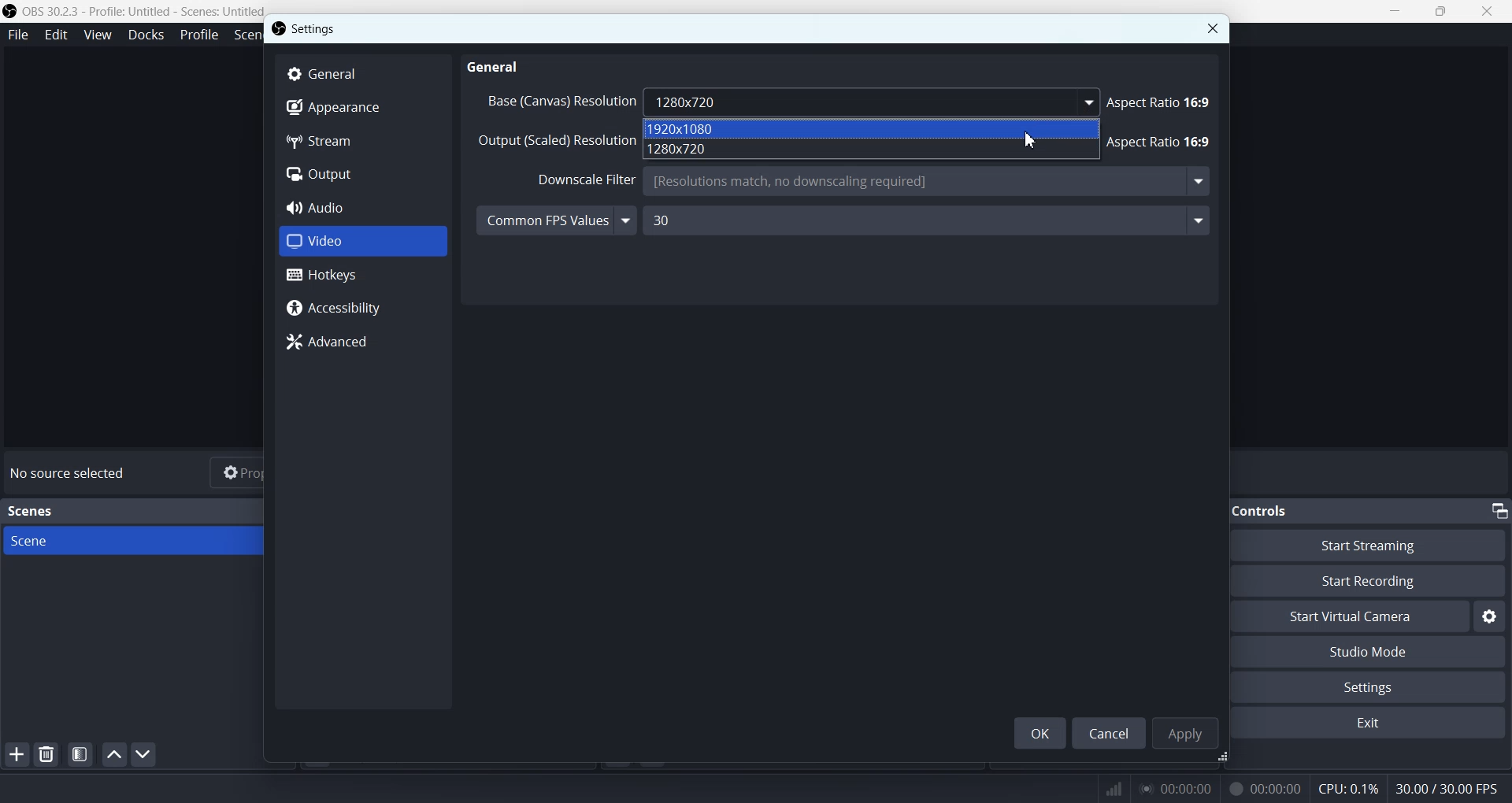 This screenshot has width=1512, height=803. What do you see at coordinates (46, 753) in the screenshot?
I see `Remove selected scene` at bounding box center [46, 753].